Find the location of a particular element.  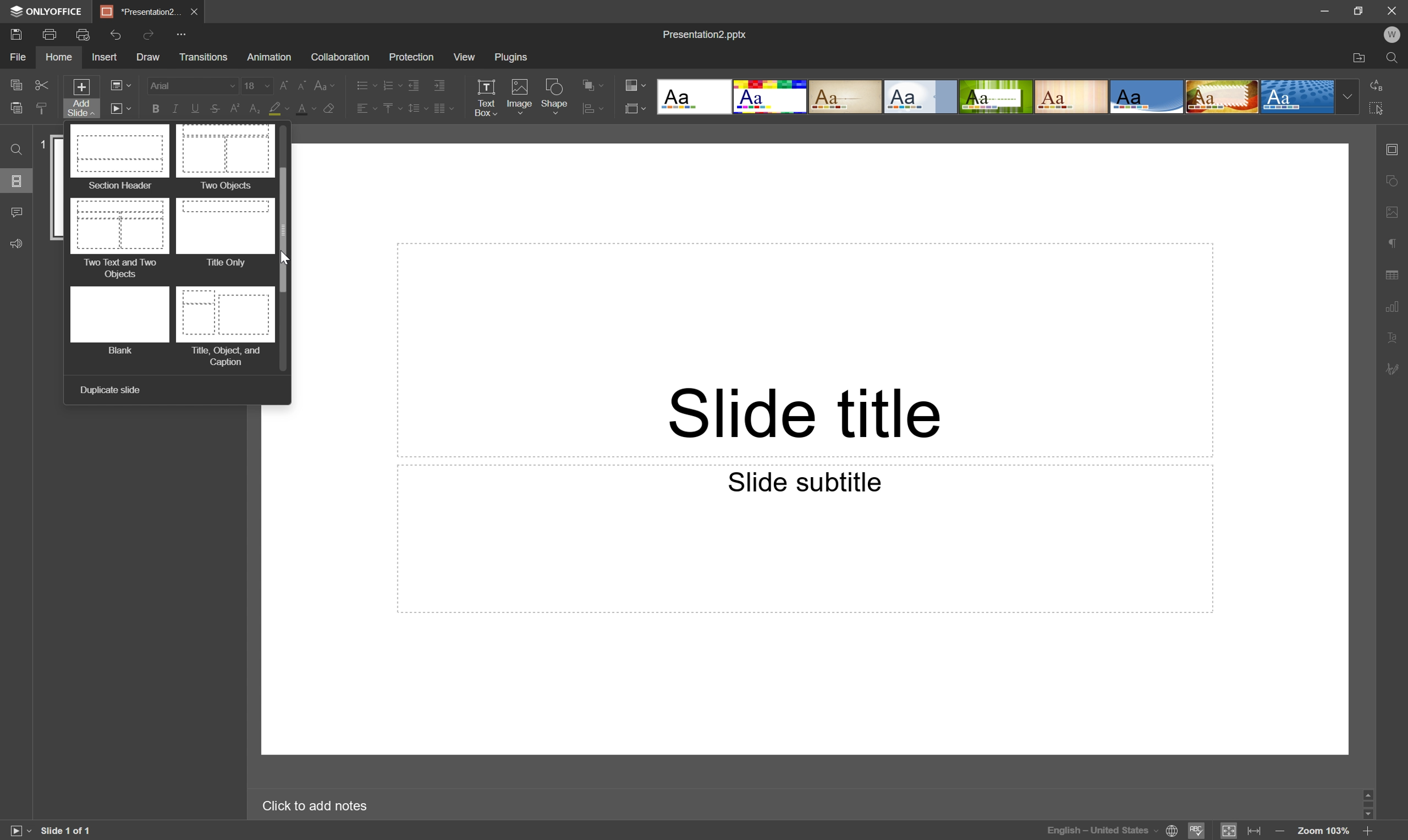

Scroll Down is located at coordinates (1364, 811).